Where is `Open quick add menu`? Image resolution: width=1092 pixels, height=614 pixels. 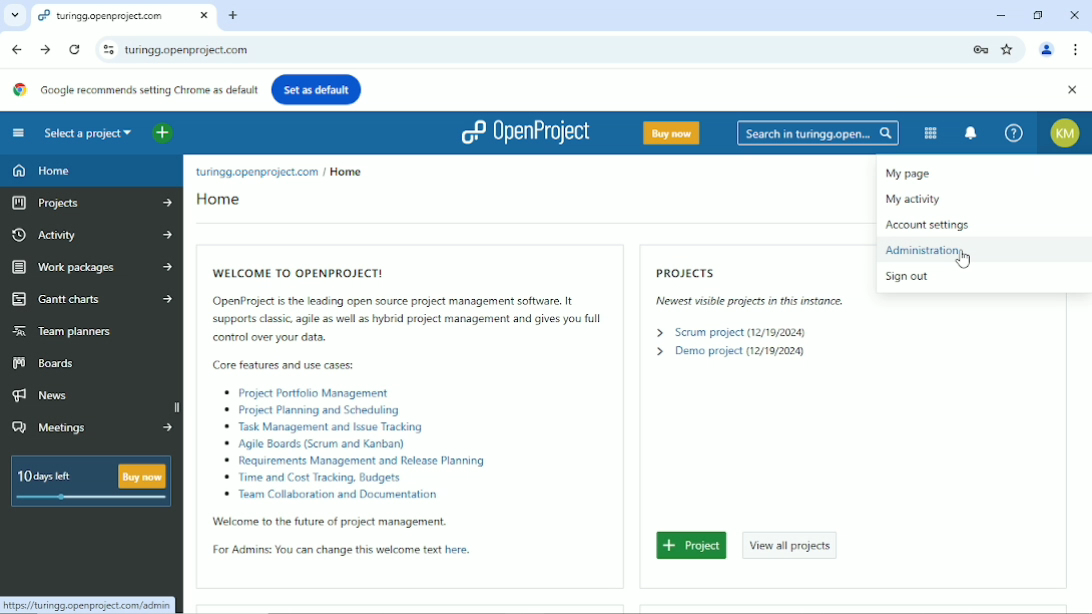 Open quick add menu is located at coordinates (162, 134).